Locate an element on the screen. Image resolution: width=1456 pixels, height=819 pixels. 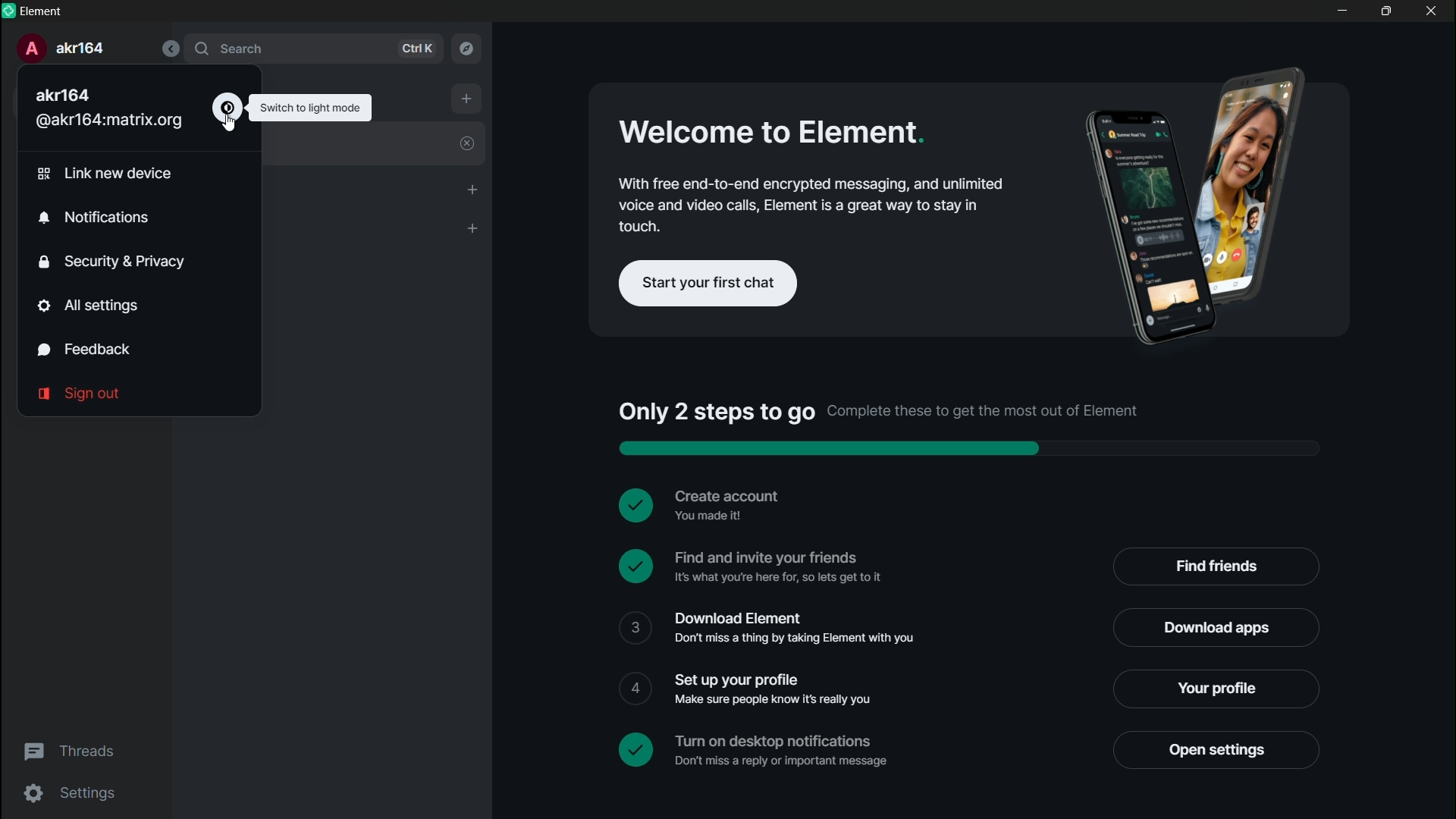
feedback is located at coordinates (84, 350).